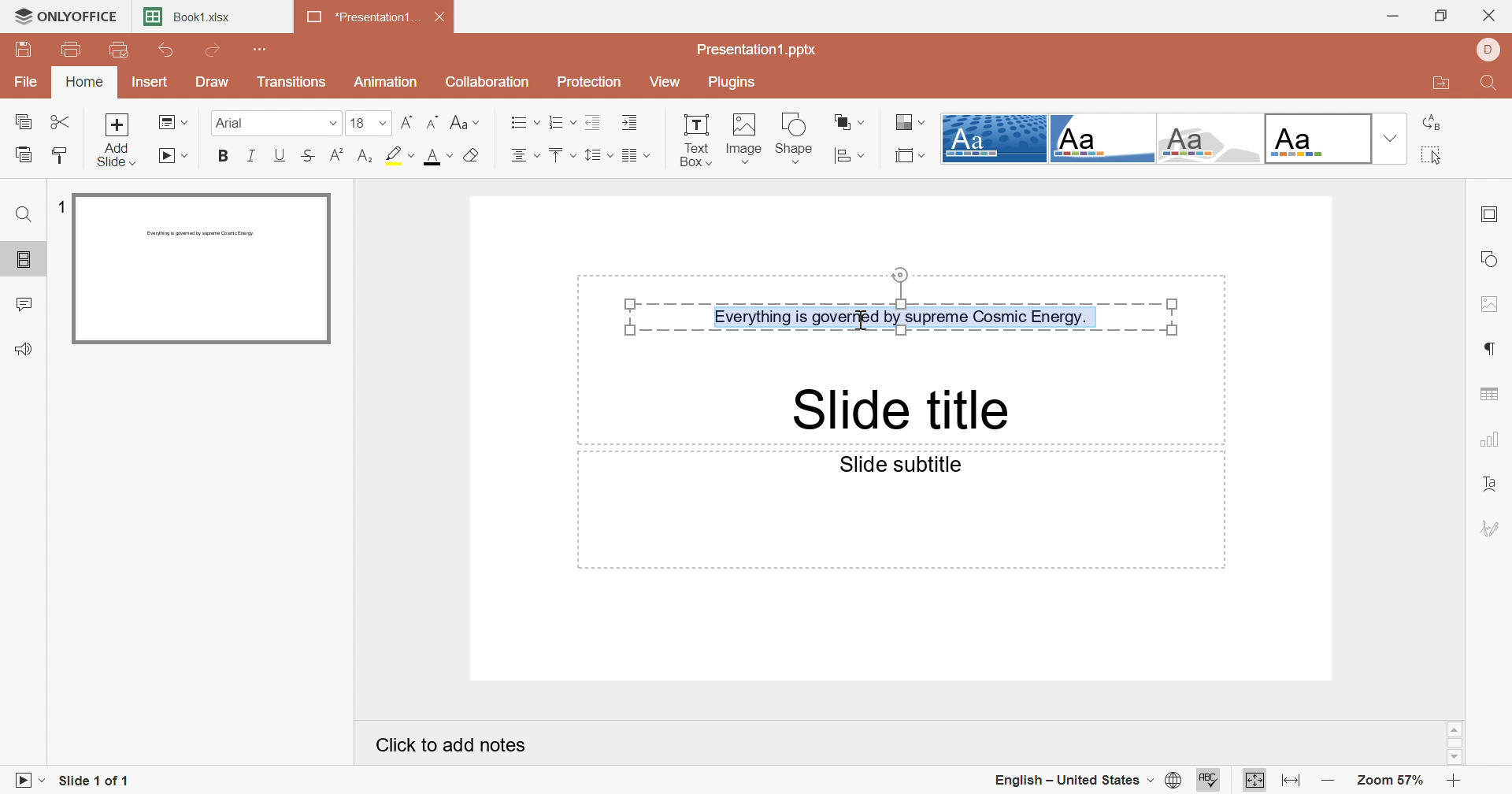  What do you see at coordinates (172, 154) in the screenshot?
I see `Start slideshow` at bounding box center [172, 154].